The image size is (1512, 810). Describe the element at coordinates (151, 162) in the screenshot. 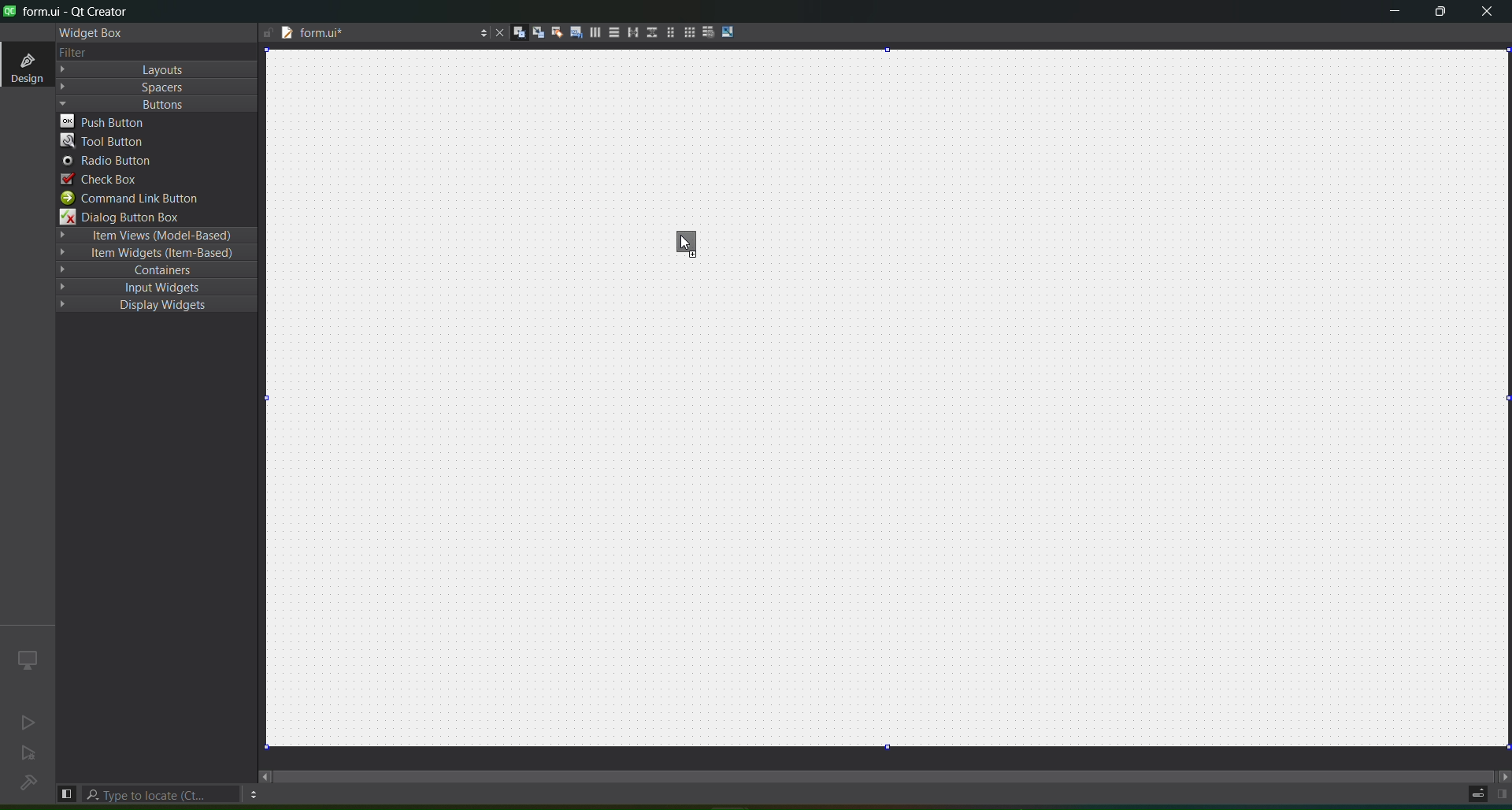

I see `radio button` at that location.